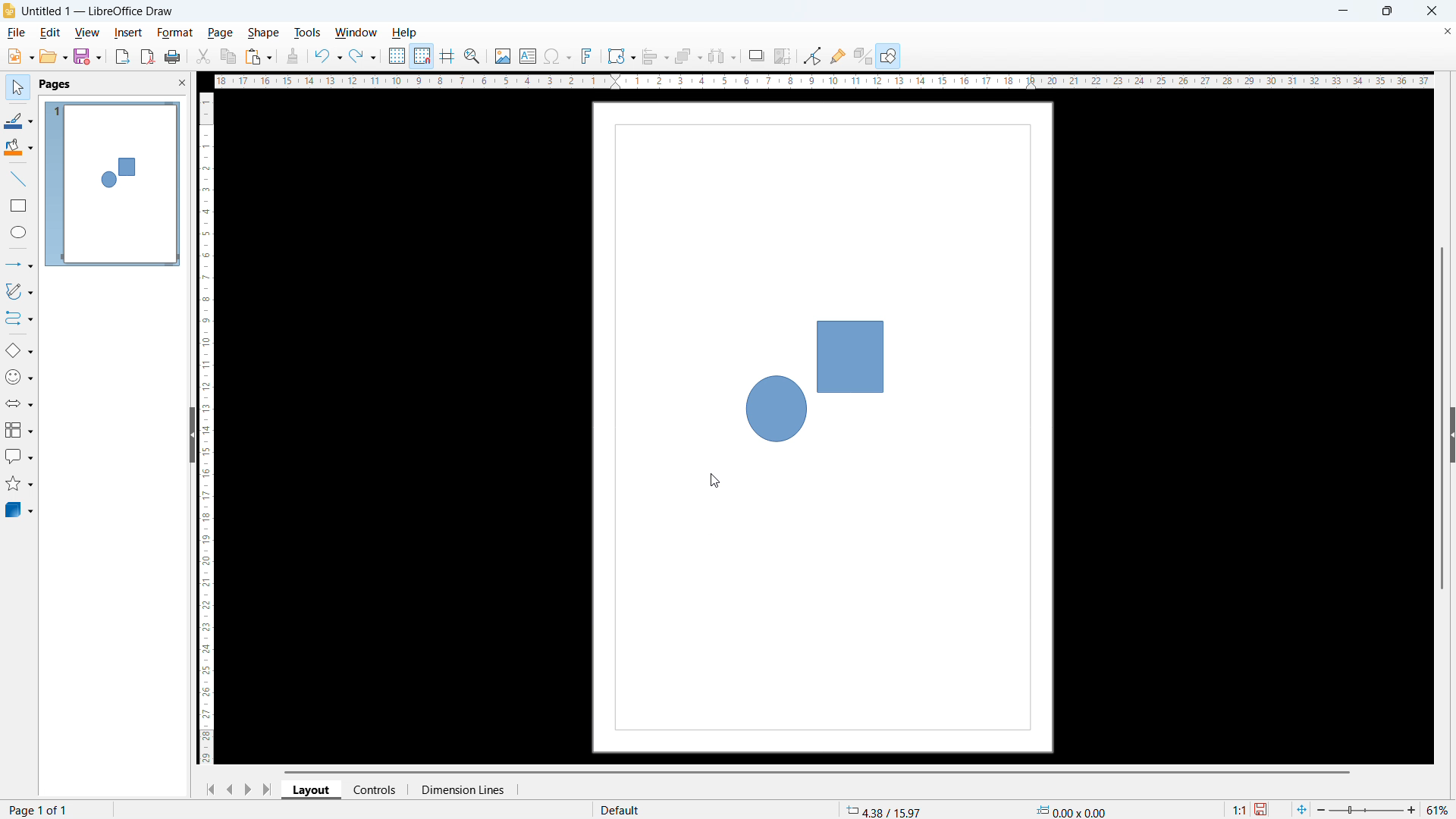 This screenshot has height=819, width=1456. Describe the element at coordinates (175, 33) in the screenshot. I see `format` at that location.